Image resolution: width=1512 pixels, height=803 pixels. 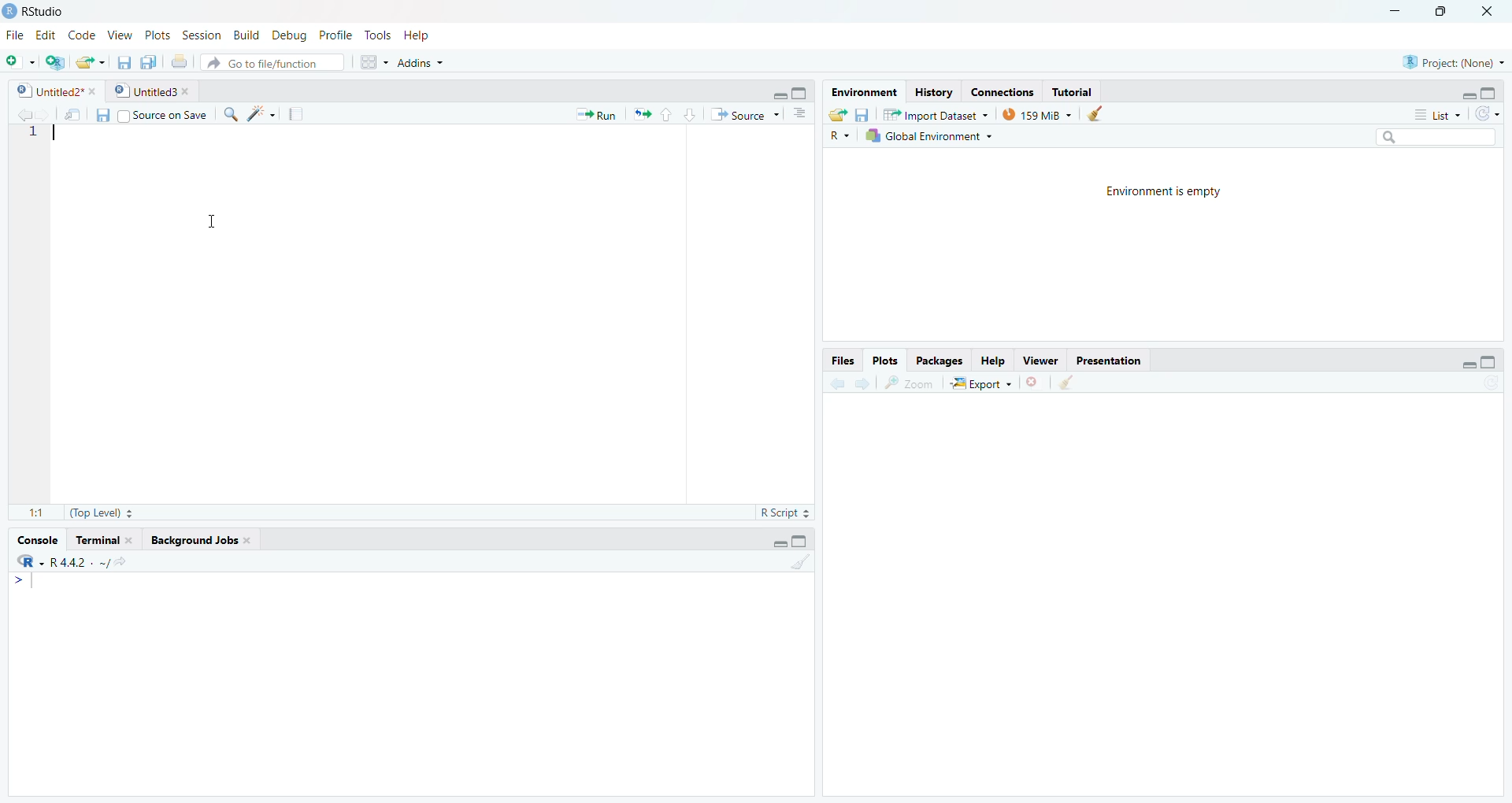 What do you see at coordinates (1098, 113) in the screenshot?
I see `Clean` at bounding box center [1098, 113].